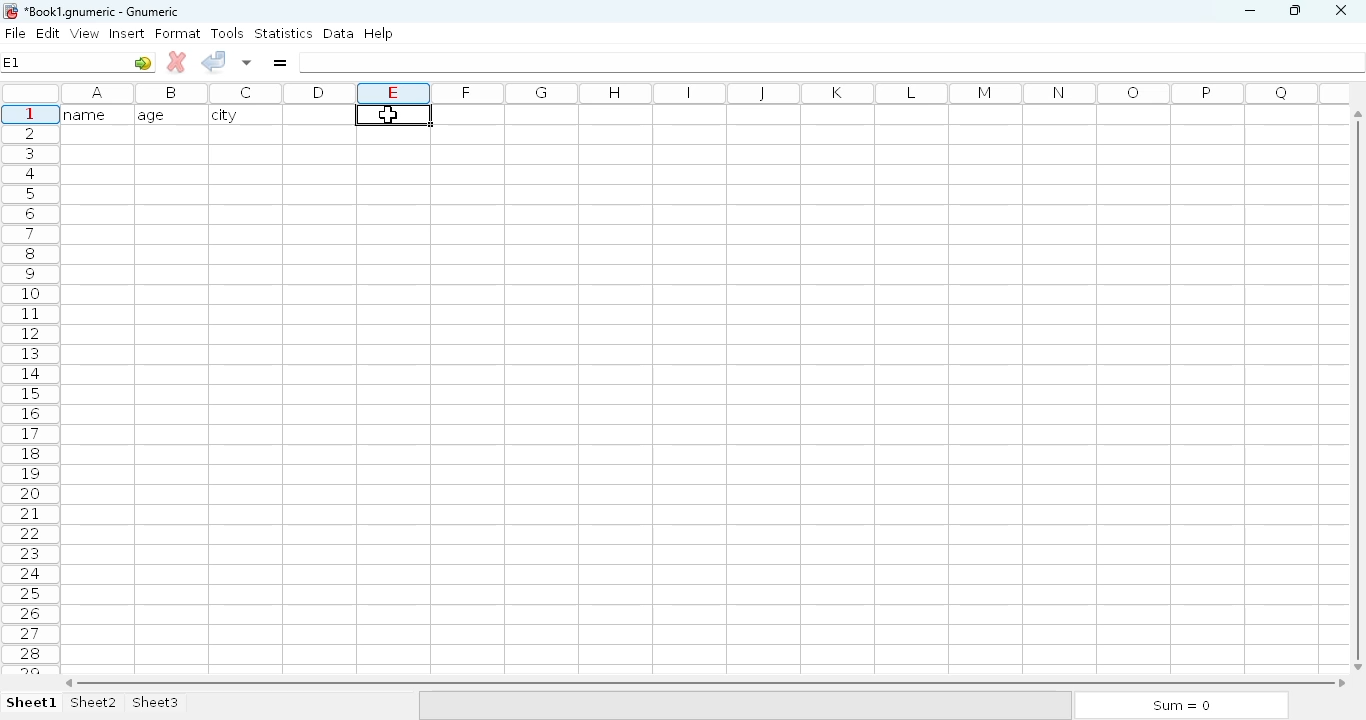  Describe the element at coordinates (705, 683) in the screenshot. I see `horizontal scroll bar` at that location.